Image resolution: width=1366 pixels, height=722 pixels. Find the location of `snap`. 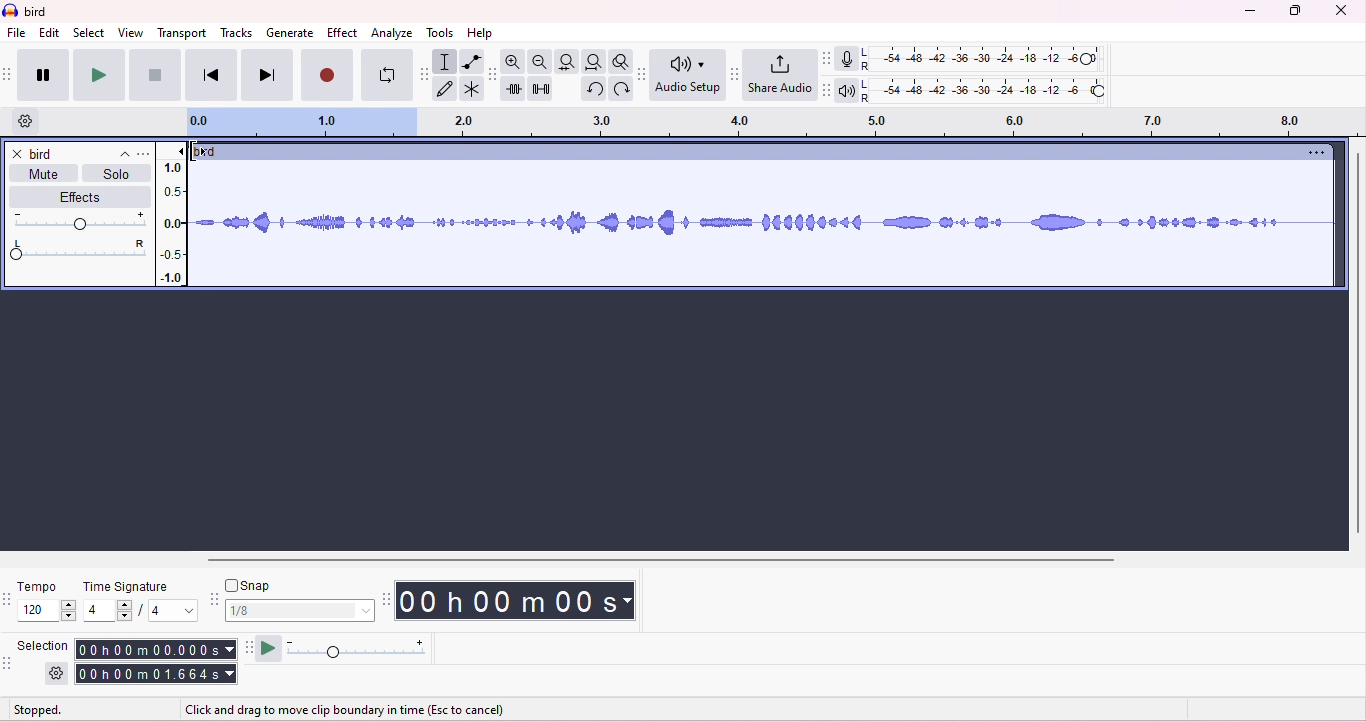

snap is located at coordinates (254, 585).